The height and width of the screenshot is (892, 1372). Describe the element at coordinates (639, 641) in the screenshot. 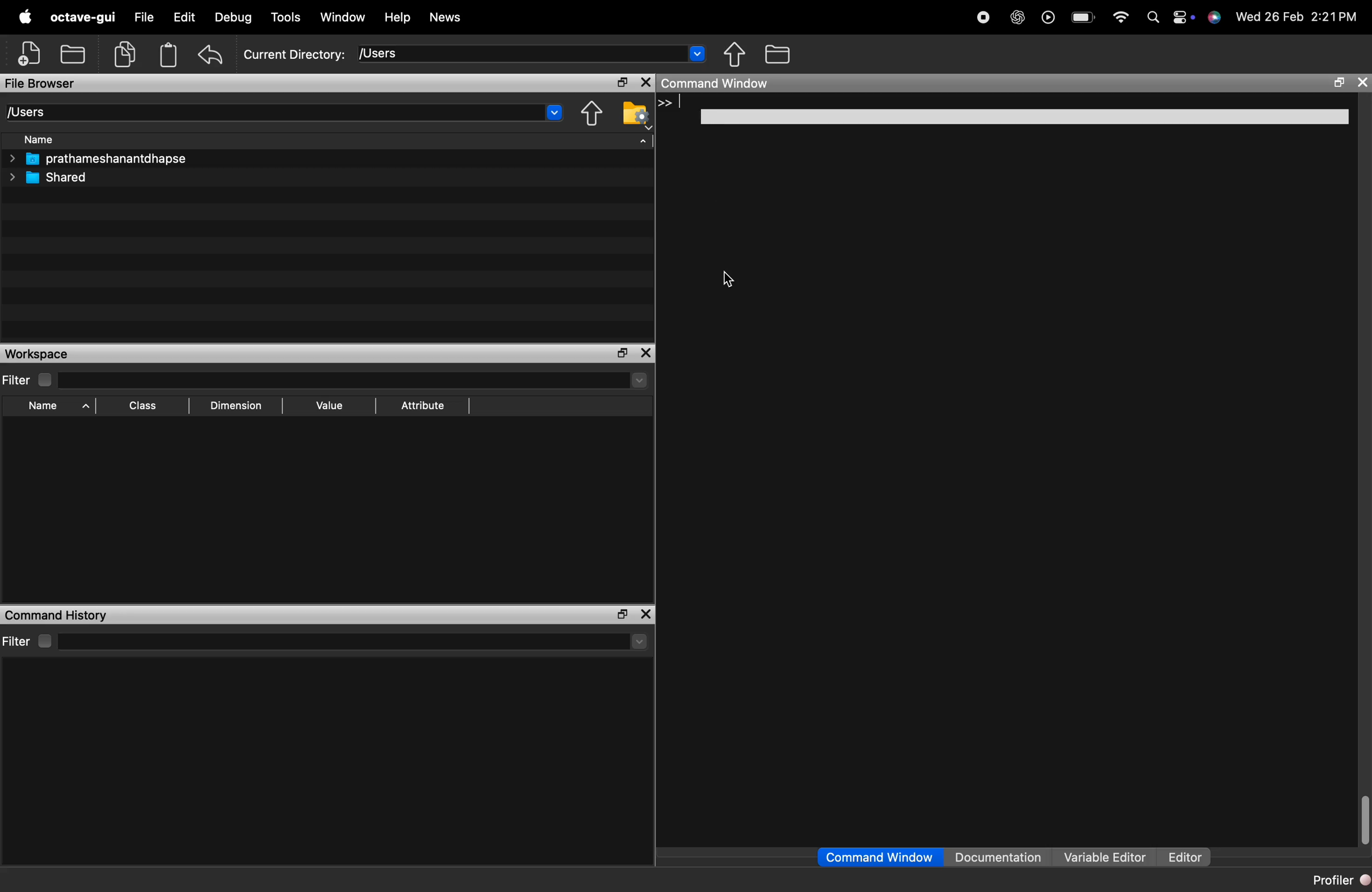

I see `more options` at that location.